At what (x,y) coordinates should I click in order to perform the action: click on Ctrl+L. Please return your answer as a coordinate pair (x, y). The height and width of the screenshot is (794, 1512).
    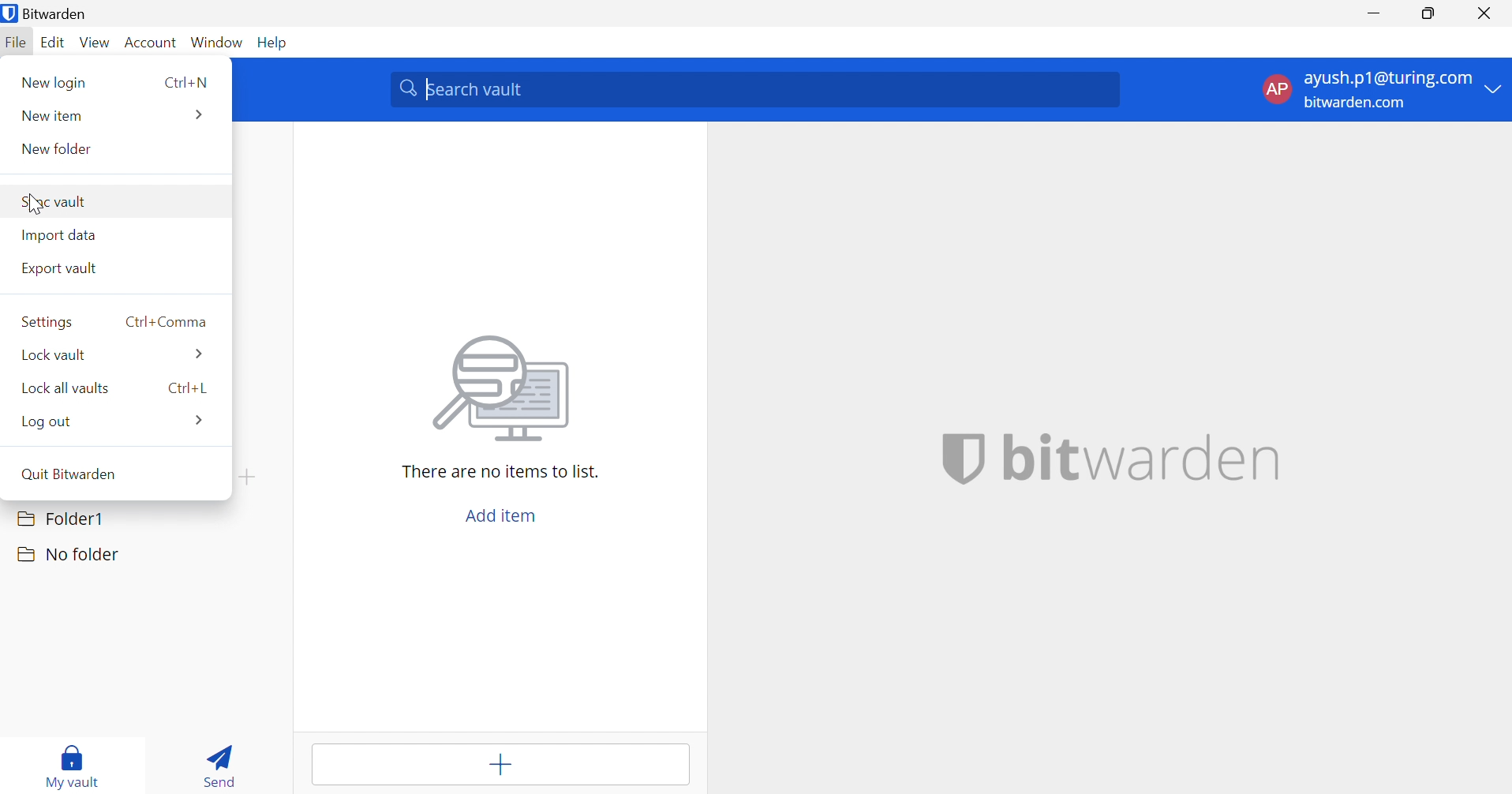
    Looking at the image, I should click on (189, 388).